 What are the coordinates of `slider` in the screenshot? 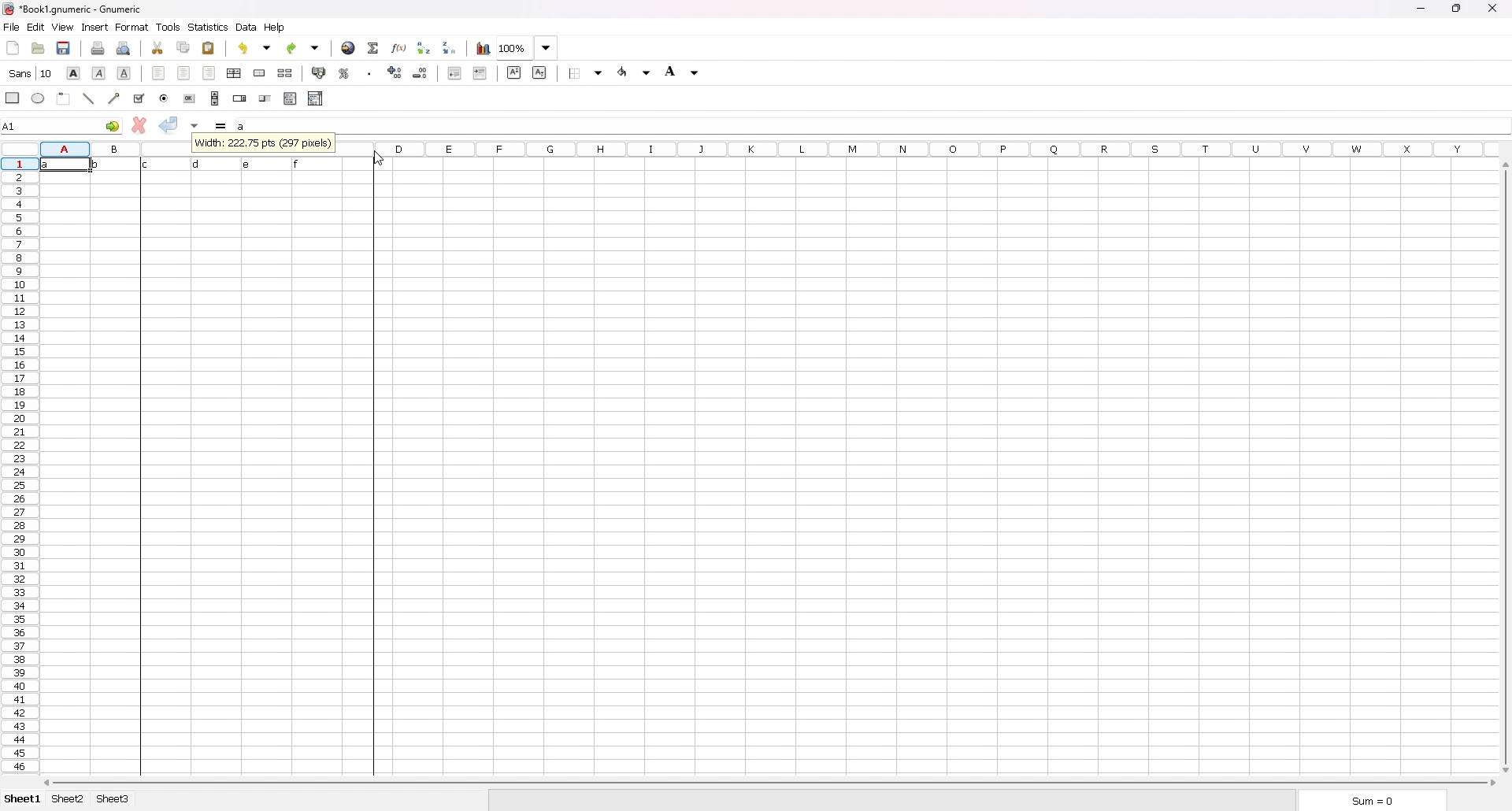 It's located at (265, 98).